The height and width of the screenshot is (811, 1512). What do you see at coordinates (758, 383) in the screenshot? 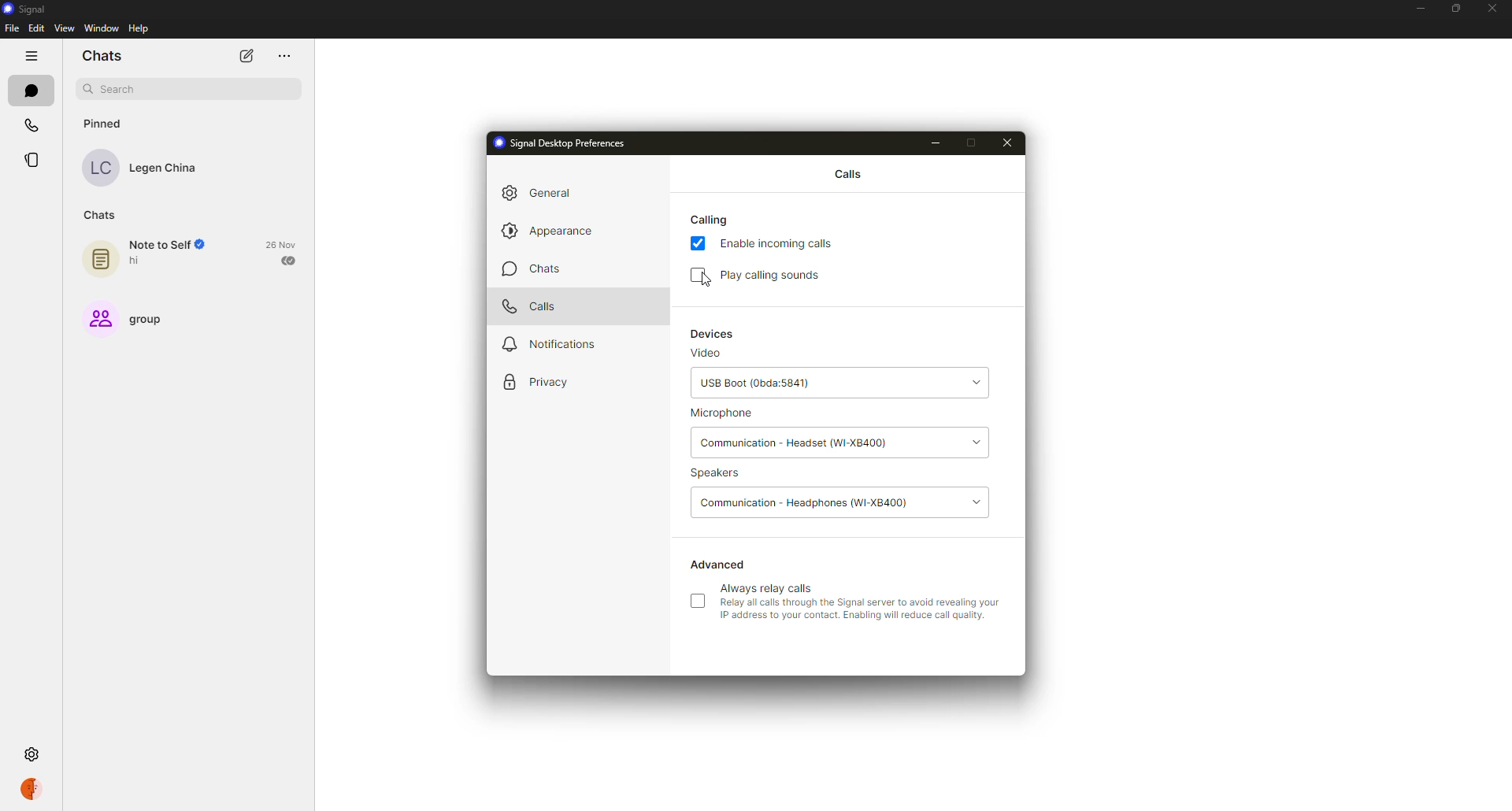
I see `usb` at bounding box center [758, 383].